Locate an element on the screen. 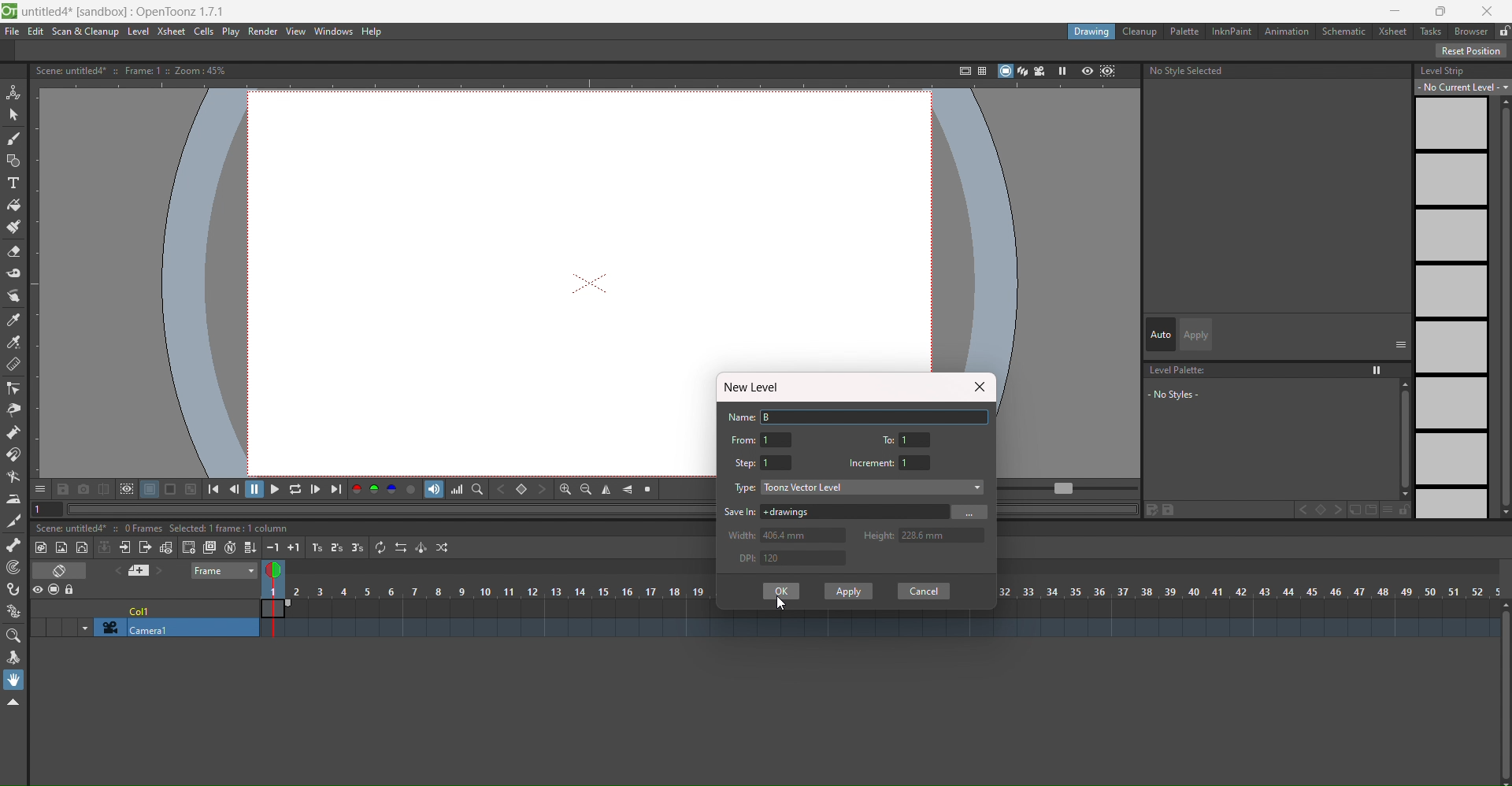 The height and width of the screenshot is (786, 1512). pump tool is located at coordinates (12, 432).